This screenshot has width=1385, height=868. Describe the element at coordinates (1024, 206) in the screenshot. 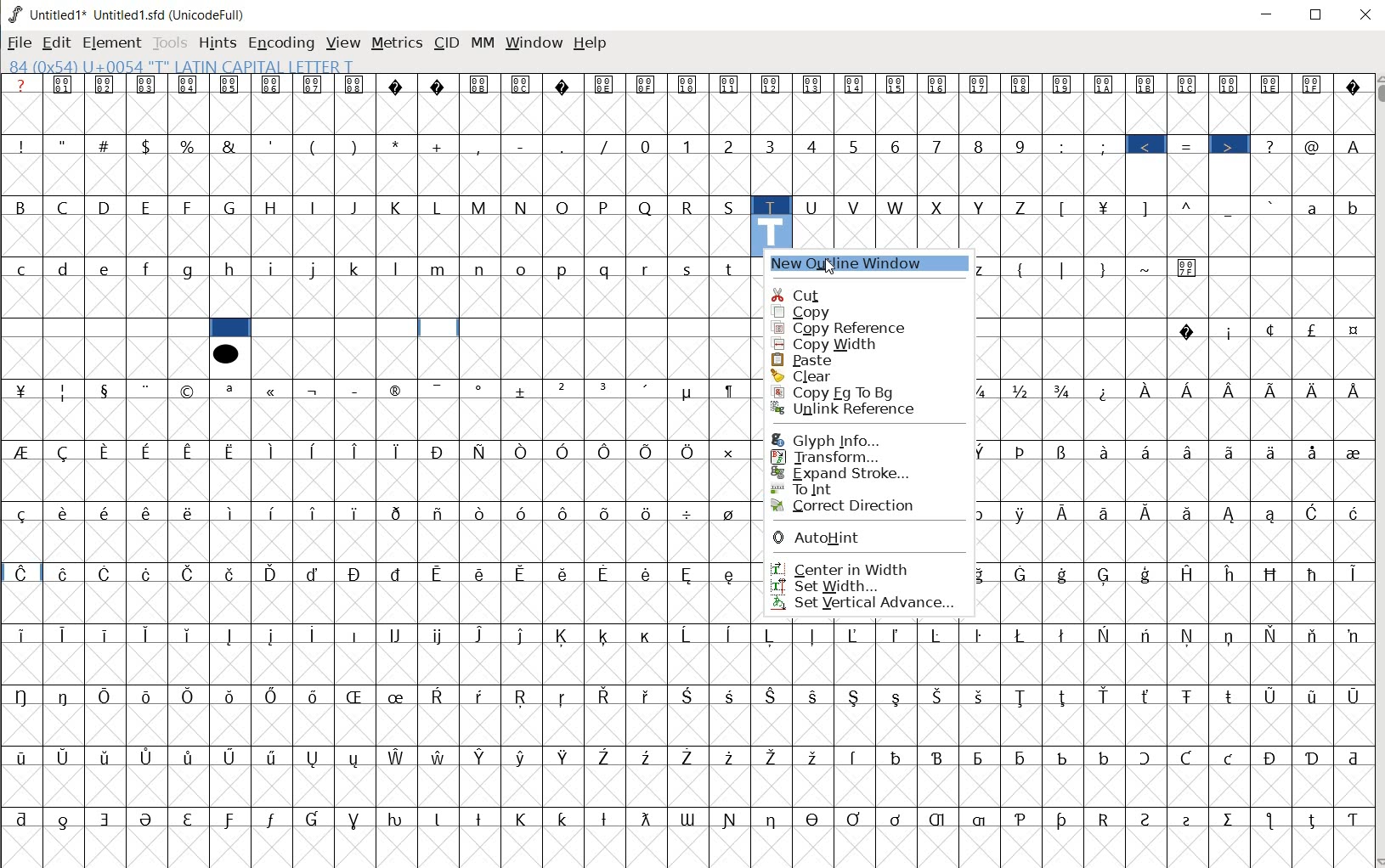

I see `Z` at that location.